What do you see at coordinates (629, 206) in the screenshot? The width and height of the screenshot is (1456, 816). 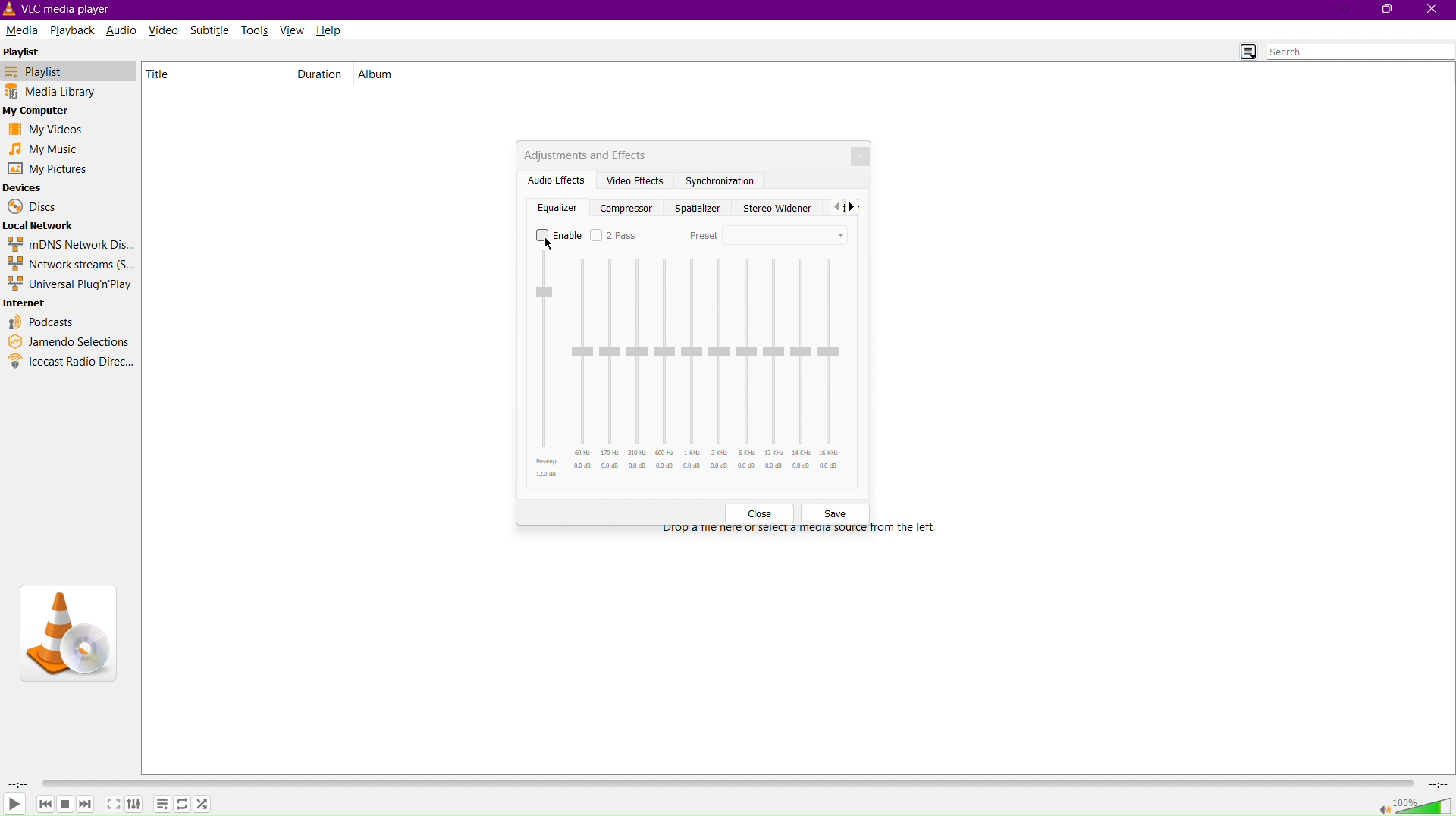 I see `Compresser` at bounding box center [629, 206].